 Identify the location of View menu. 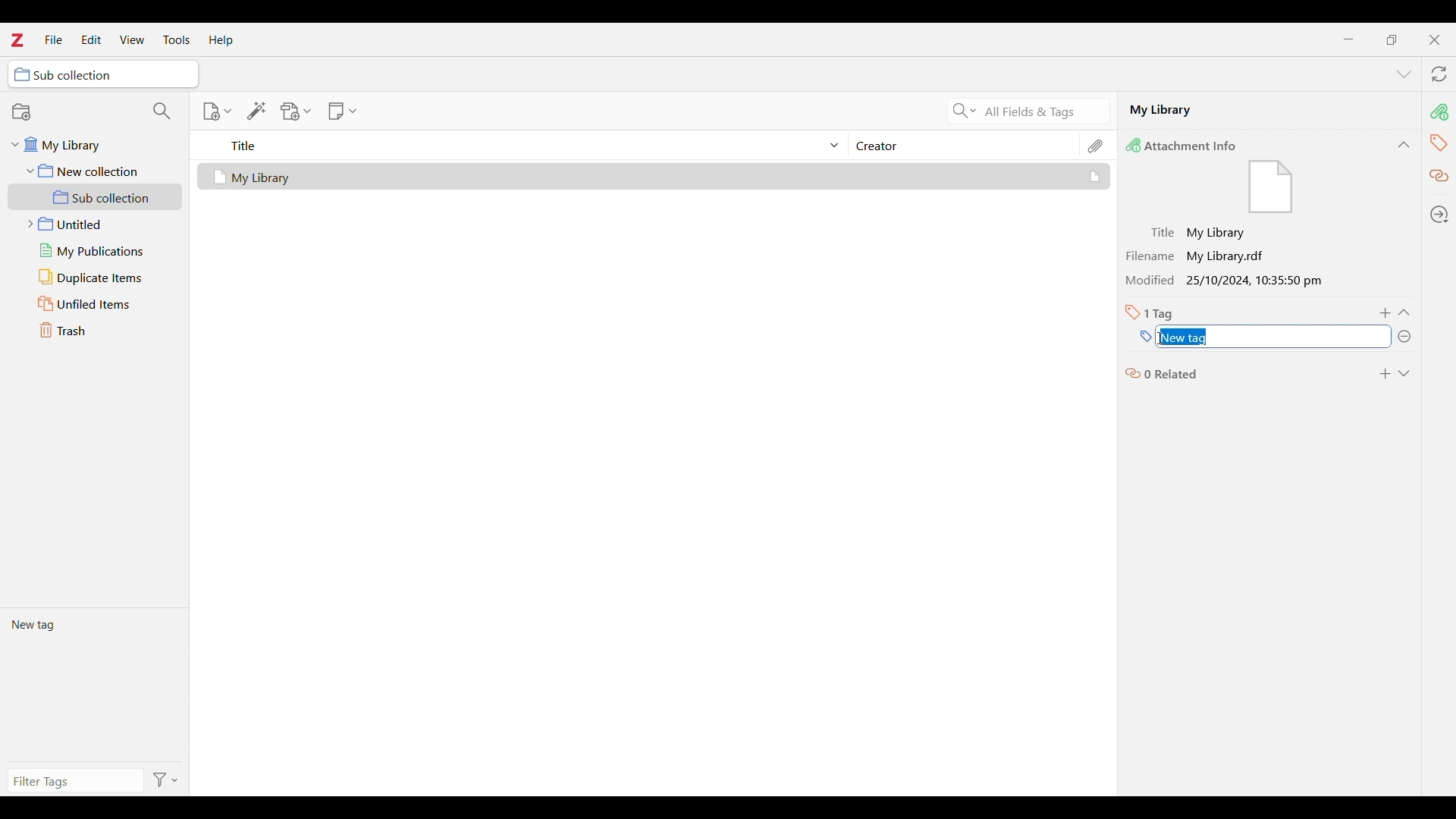
(133, 39).